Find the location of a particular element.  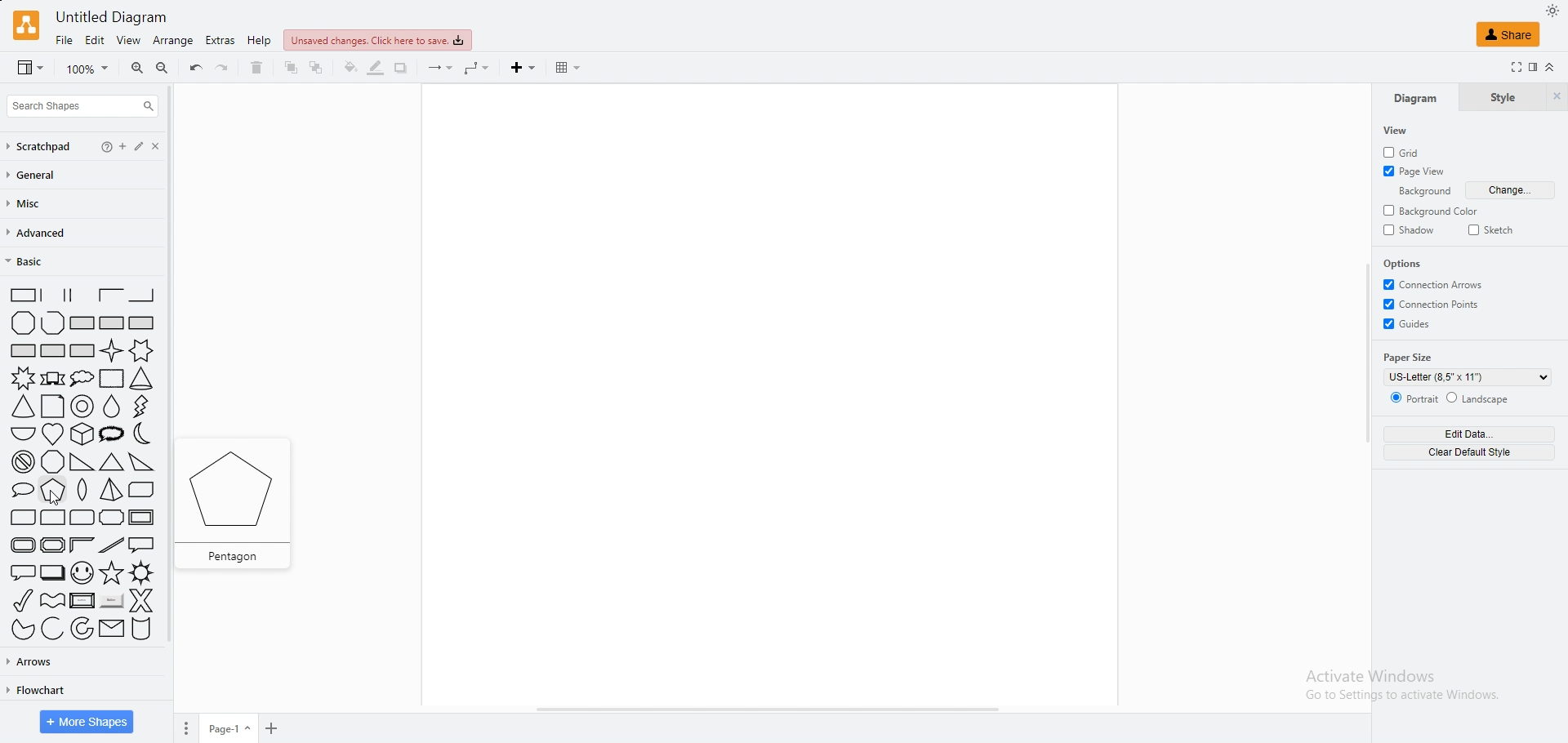

view is located at coordinates (1398, 131).